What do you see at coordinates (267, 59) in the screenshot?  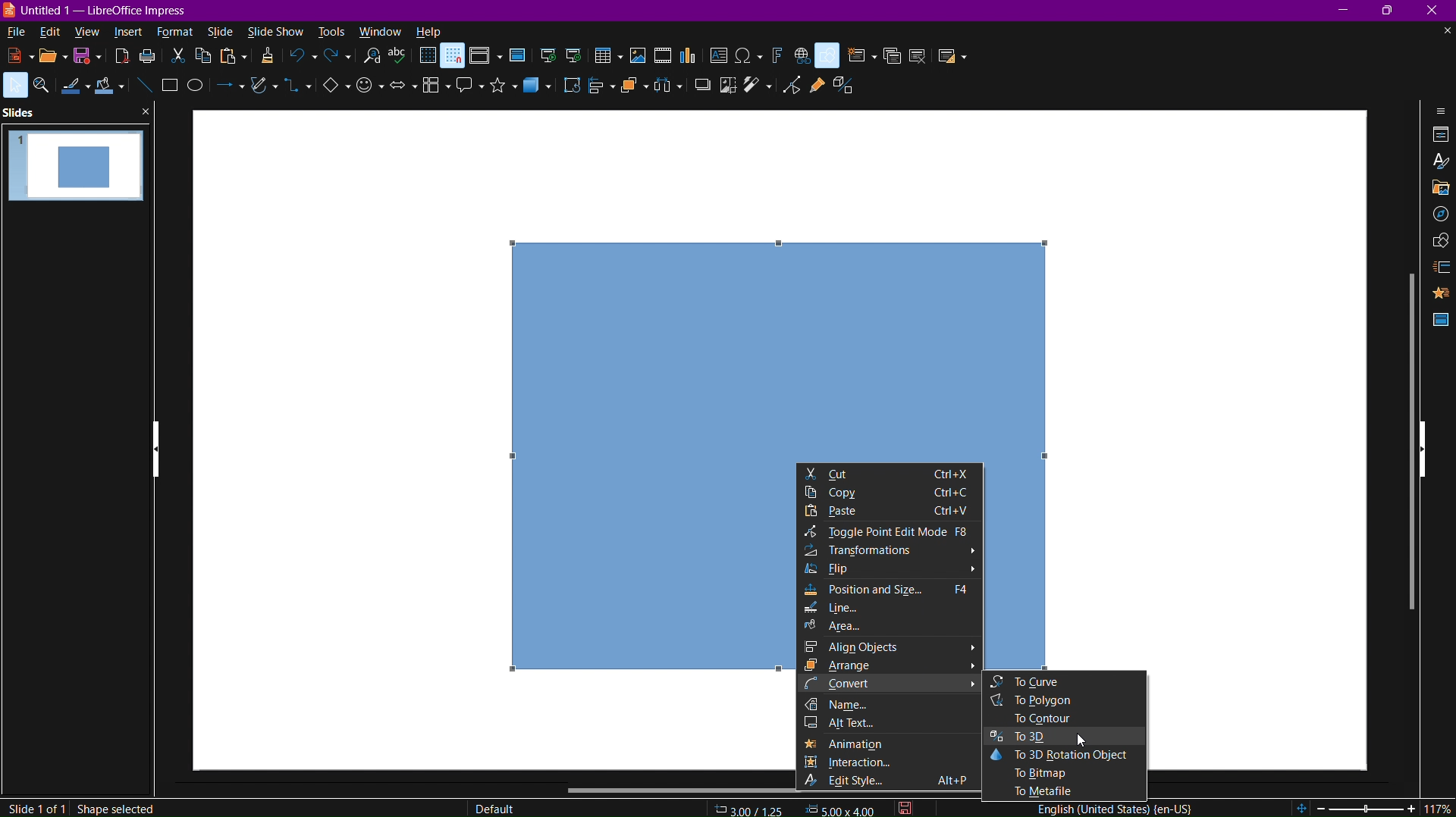 I see `Copy Formatting` at bounding box center [267, 59].